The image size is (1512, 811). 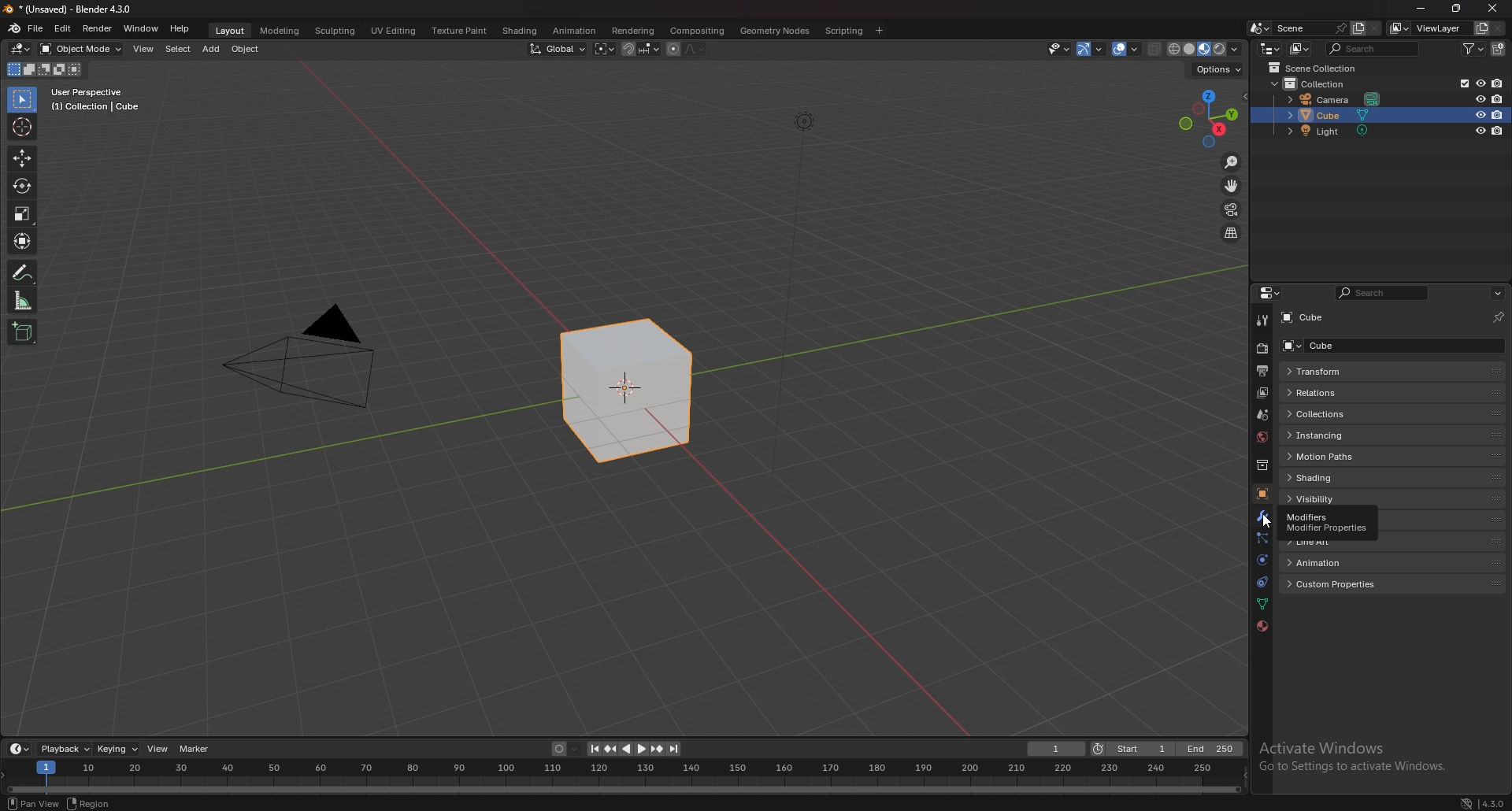 I want to click on edit, so click(x=63, y=28).